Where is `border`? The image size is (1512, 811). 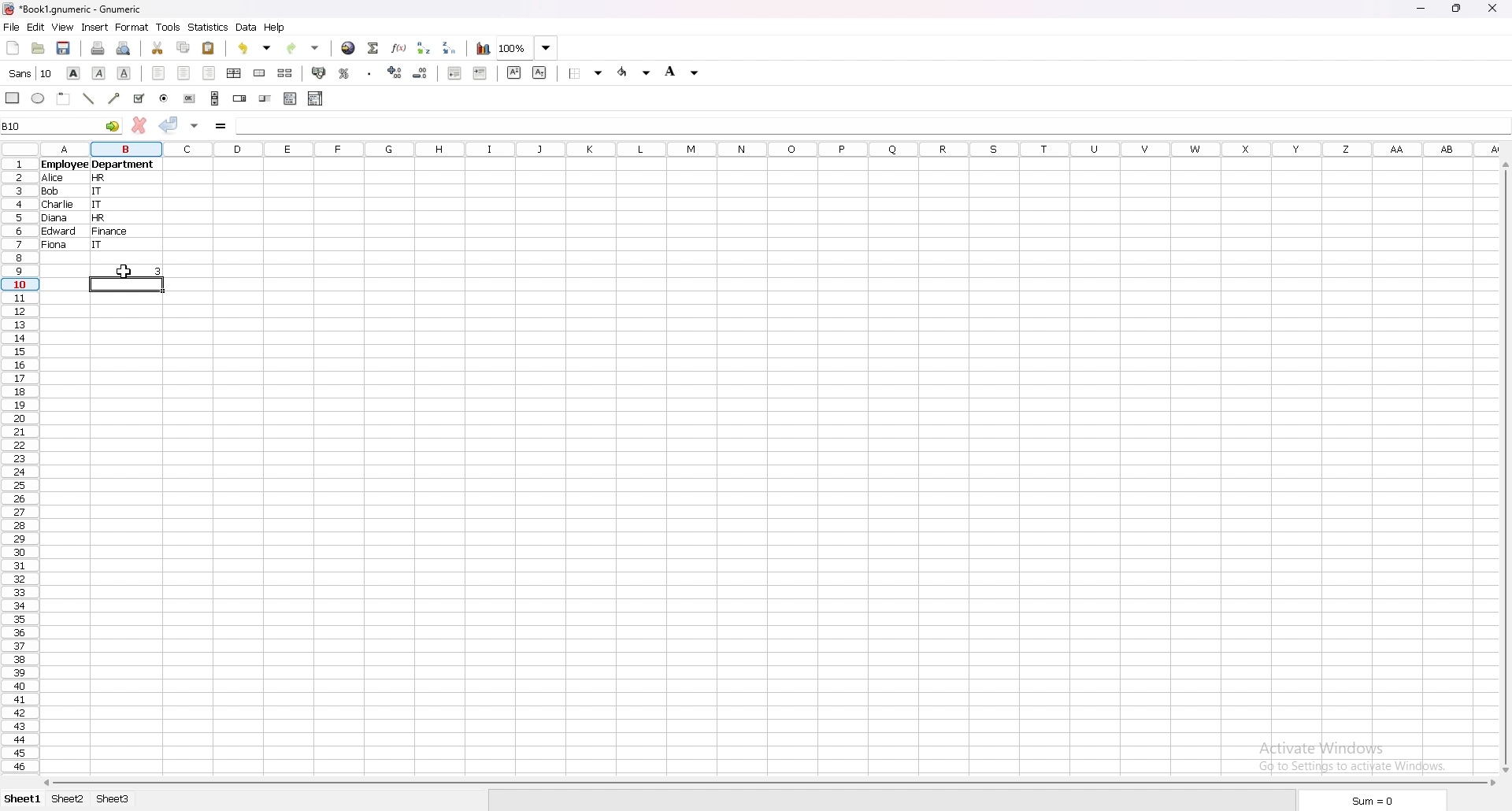
border is located at coordinates (586, 73).